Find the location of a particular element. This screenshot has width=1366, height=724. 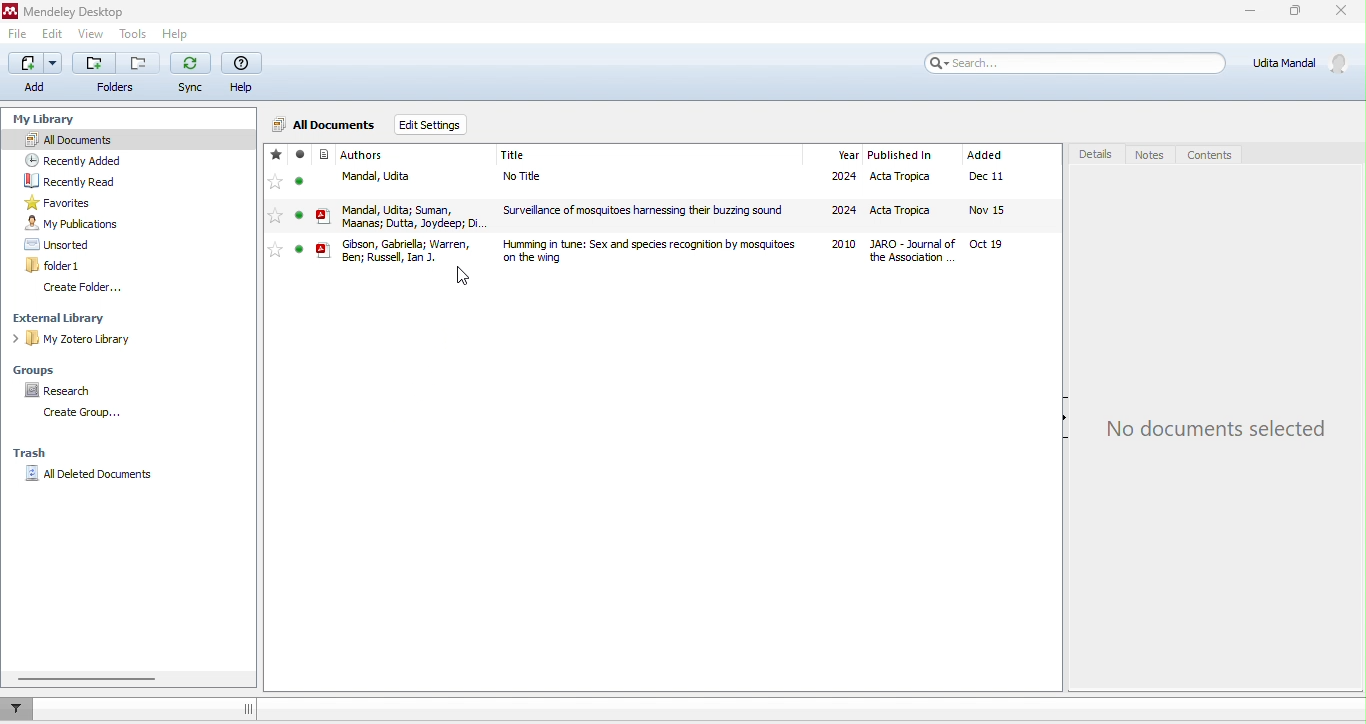

minimize is located at coordinates (1247, 13).